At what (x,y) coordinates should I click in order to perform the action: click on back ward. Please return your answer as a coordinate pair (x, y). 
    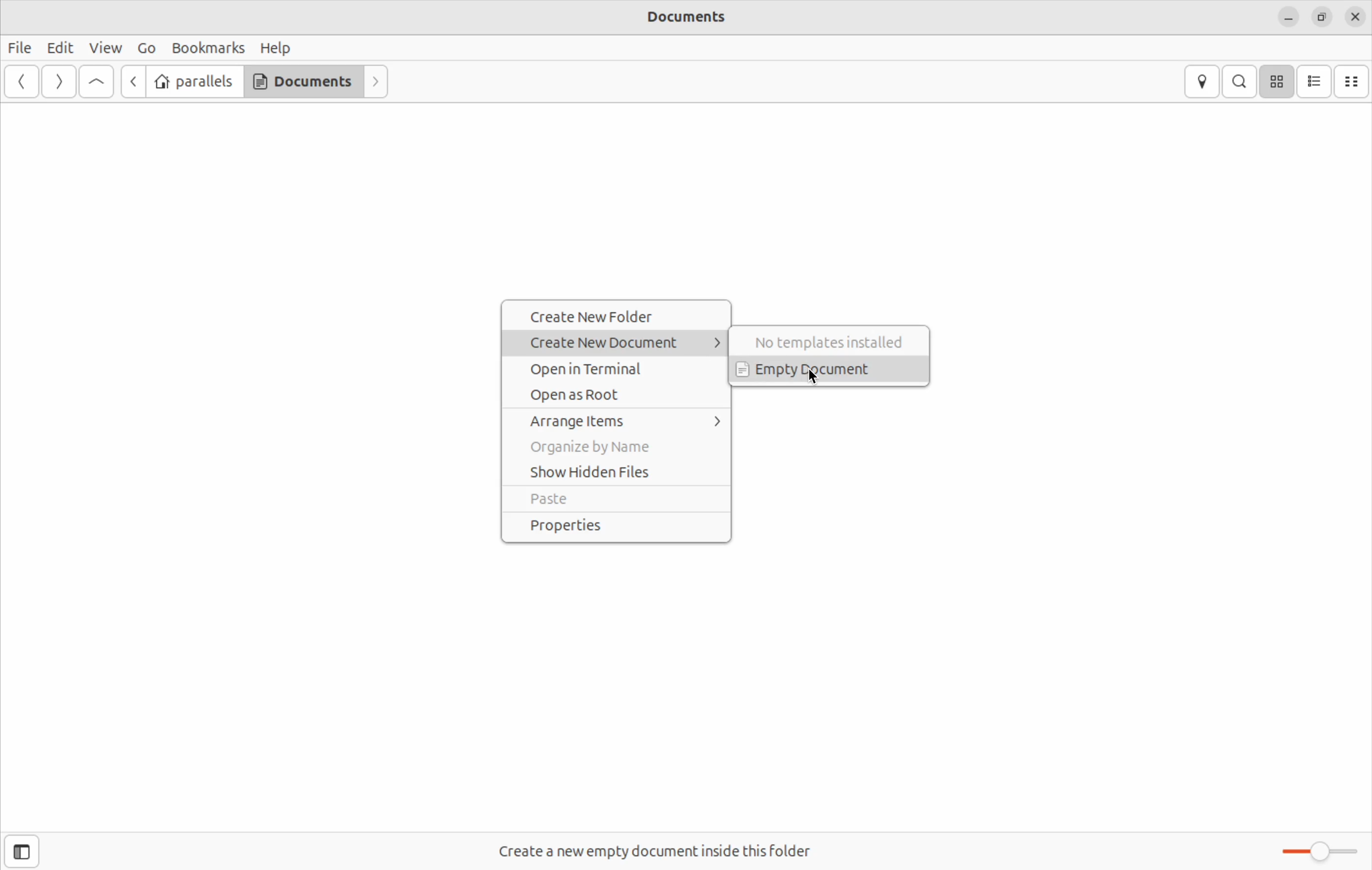
    Looking at the image, I should click on (23, 83).